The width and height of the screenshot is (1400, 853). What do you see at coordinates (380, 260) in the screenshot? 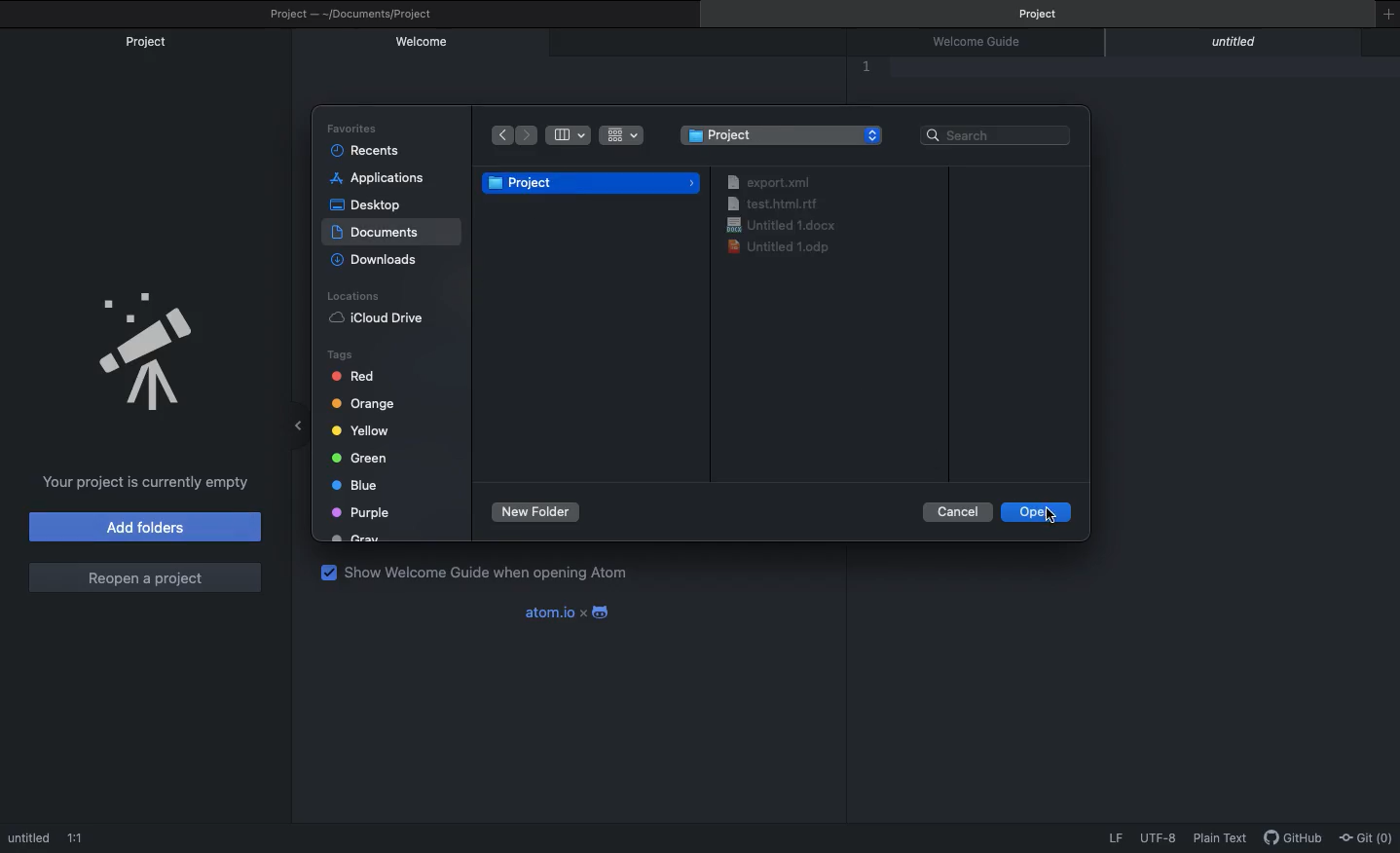
I see `Downloads` at bounding box center [380, 260].